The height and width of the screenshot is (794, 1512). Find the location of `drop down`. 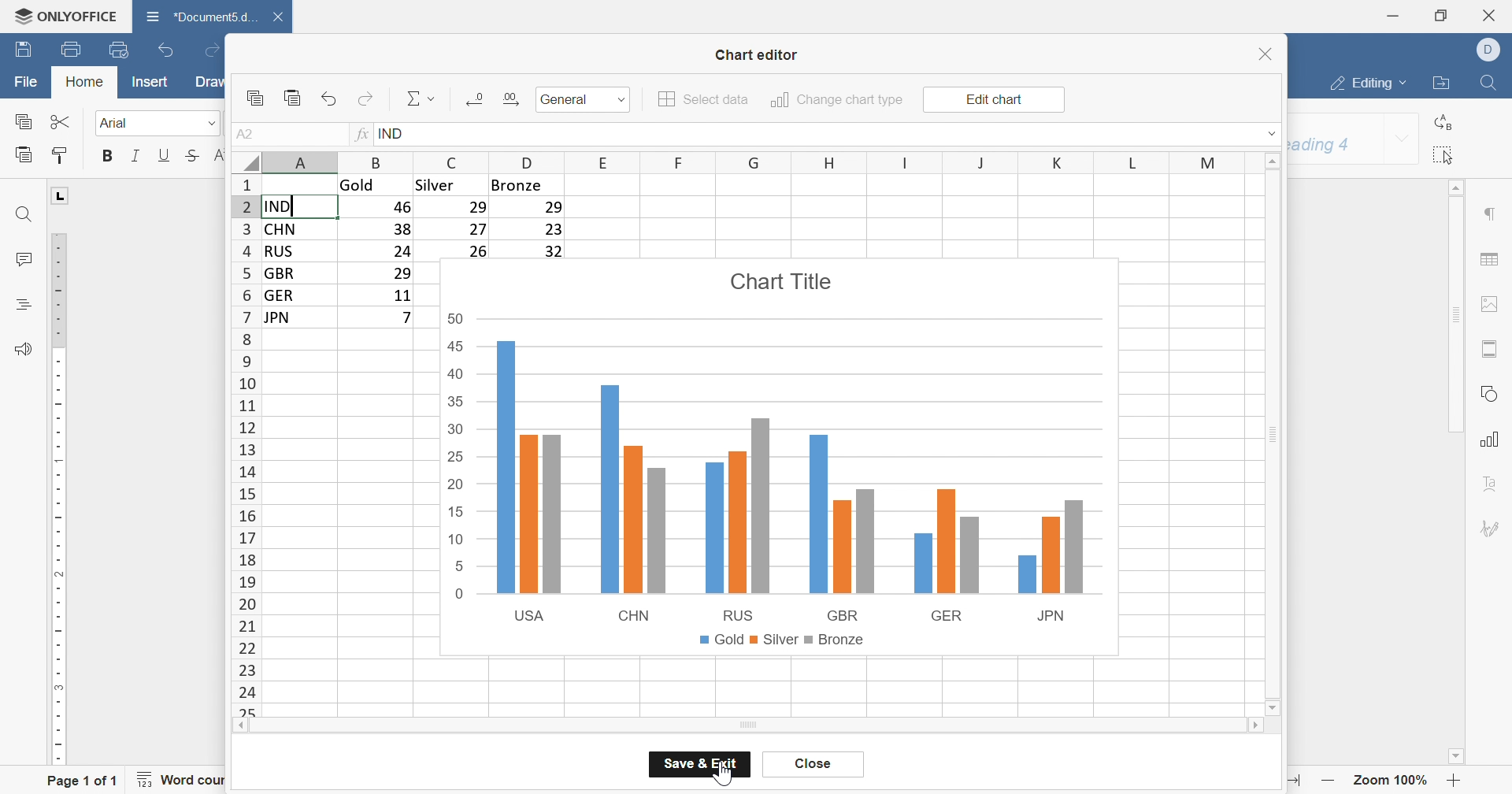

drop down is located at coordinates (1403, 140).